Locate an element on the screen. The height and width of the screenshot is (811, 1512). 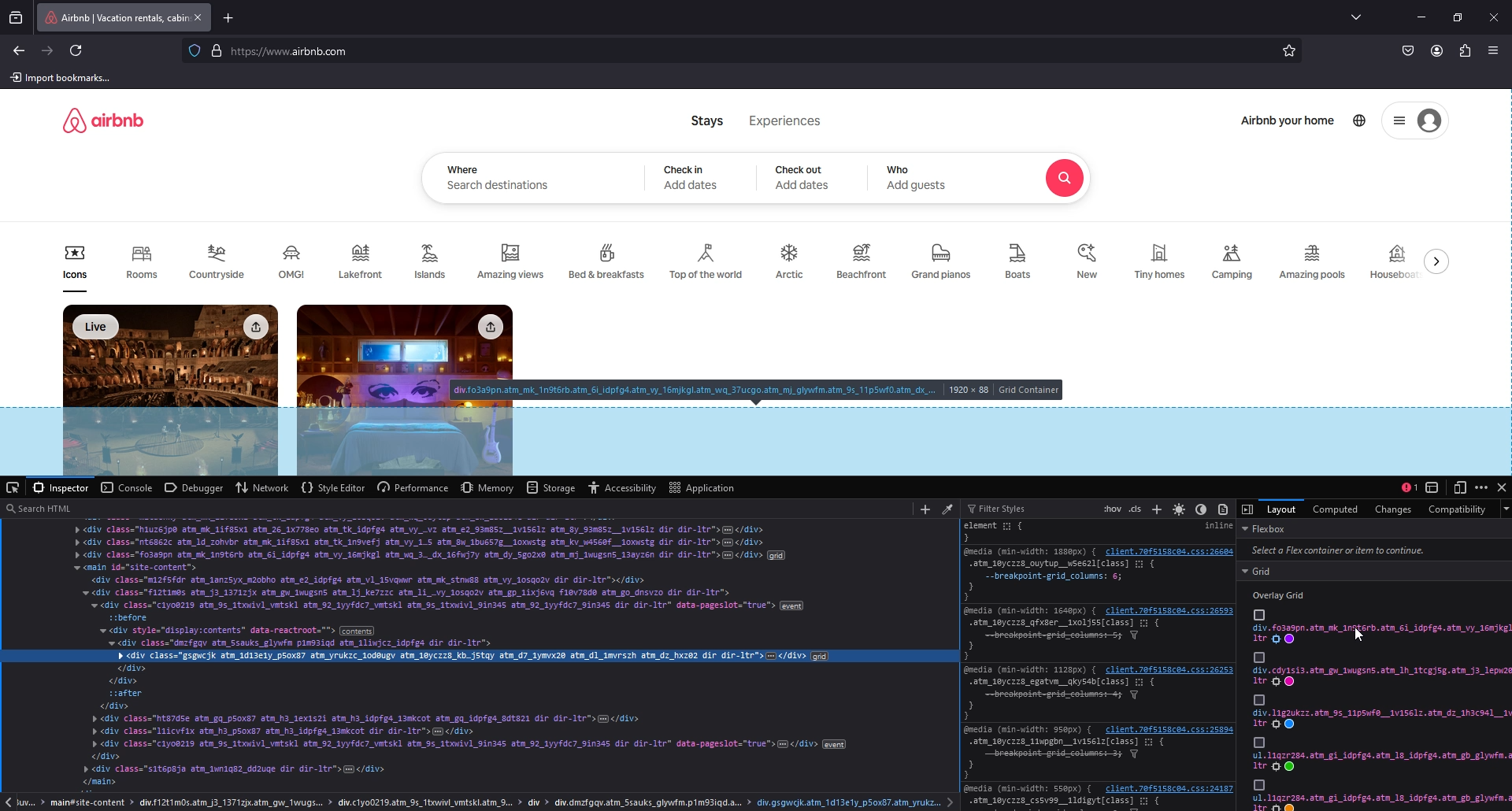
layout is located at coordinates (1281, 508).